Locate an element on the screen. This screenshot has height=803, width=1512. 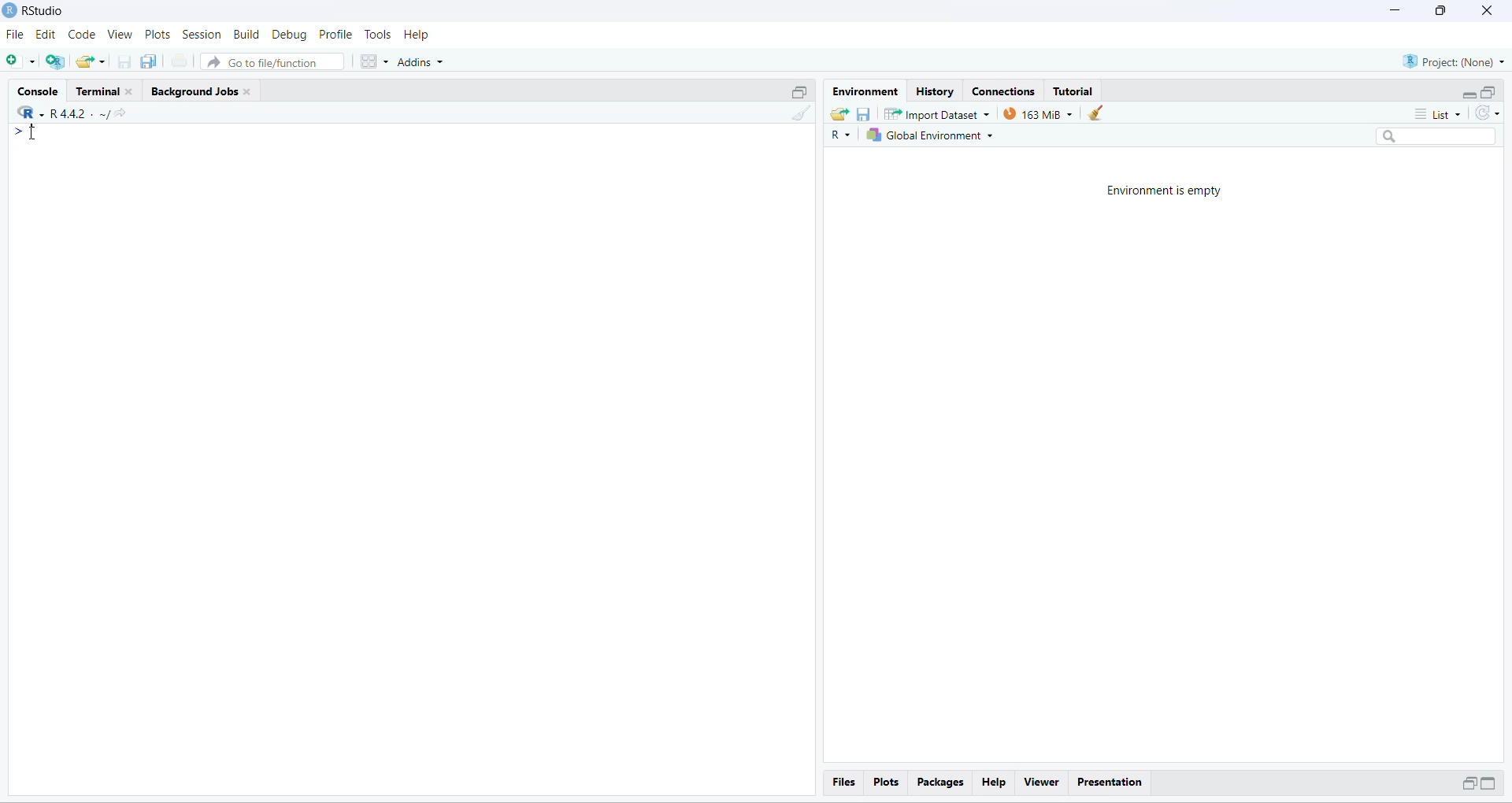
minimize is located at coordinates (1469, 96).